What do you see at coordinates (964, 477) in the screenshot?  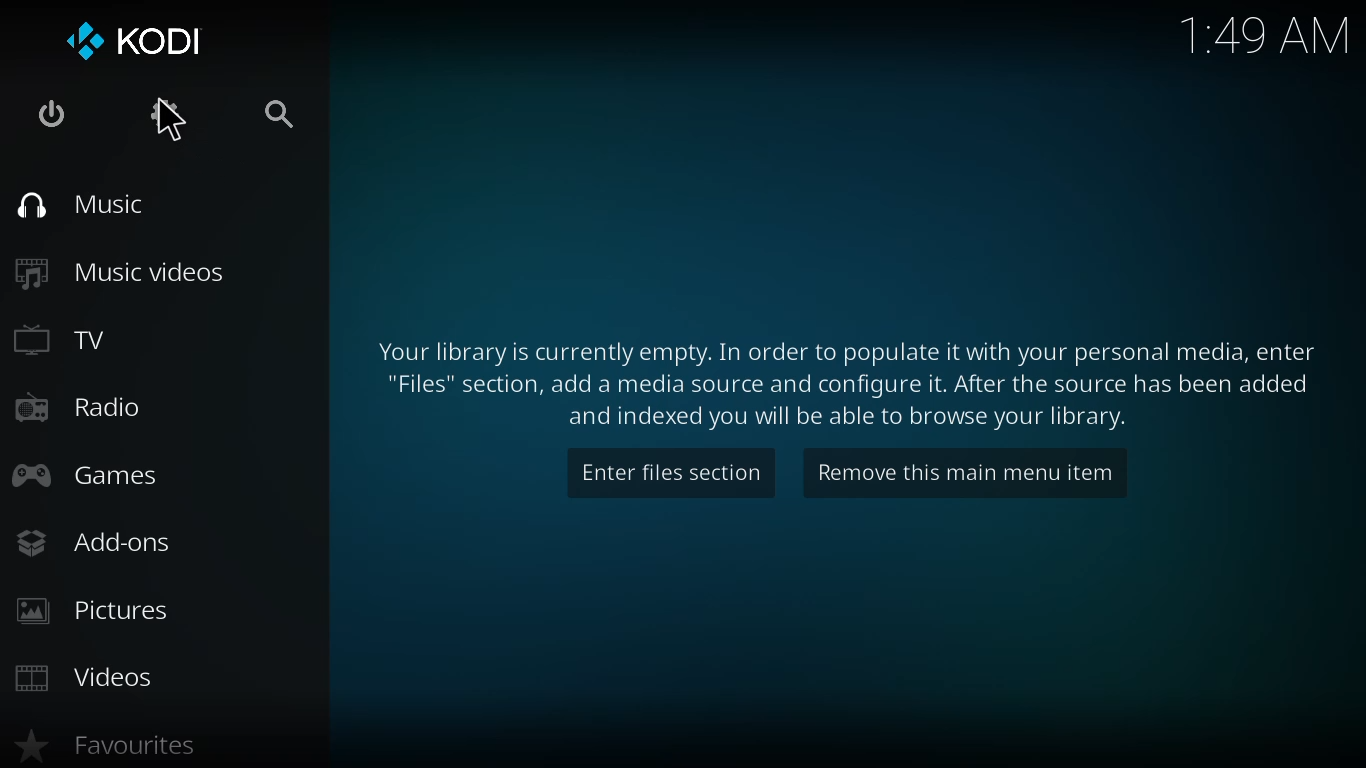 I see `remove this main menu item` at bounding box center [964, 477].